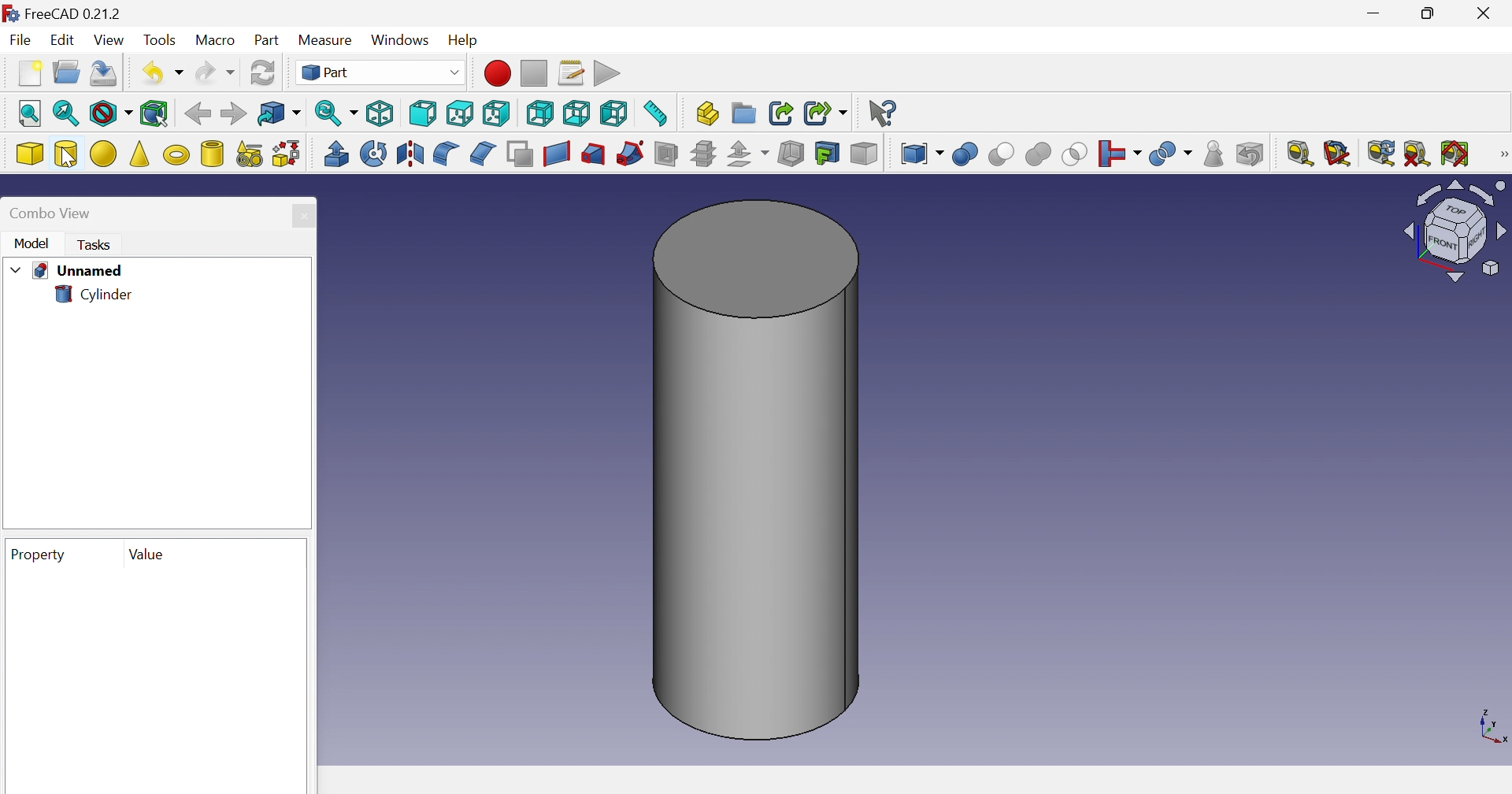 The image size is (1512, 794). Describe the element at coordinates (176, 156) in the screenshot. I see `Torus` at that location.